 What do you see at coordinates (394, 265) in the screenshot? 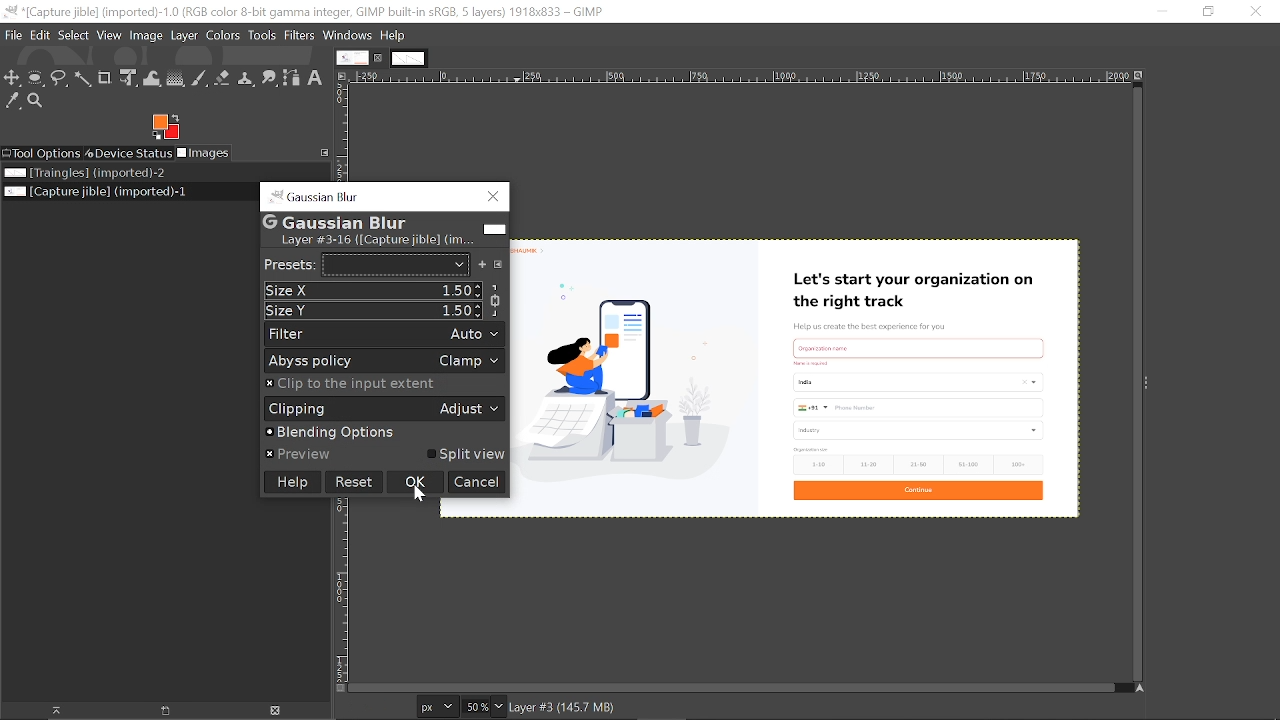
I see `Presets` at bounding box center [394, 265].